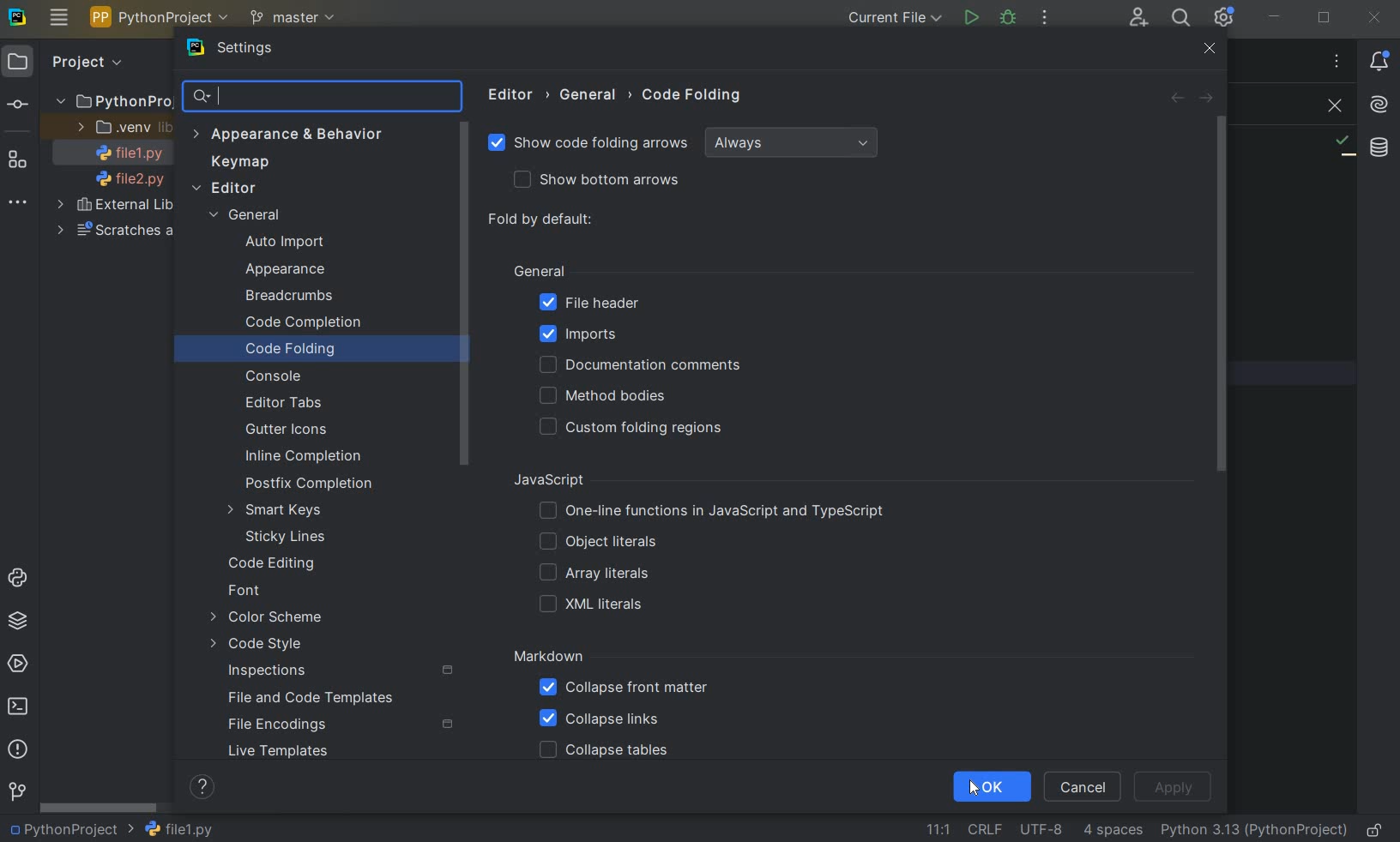 This screenshot has width=1400, height=842. Describe the element at coordinates (1336, 61) in the screenshot. I see `RECENT FILES, TAB ACTIONS, AND MORE` at that location.